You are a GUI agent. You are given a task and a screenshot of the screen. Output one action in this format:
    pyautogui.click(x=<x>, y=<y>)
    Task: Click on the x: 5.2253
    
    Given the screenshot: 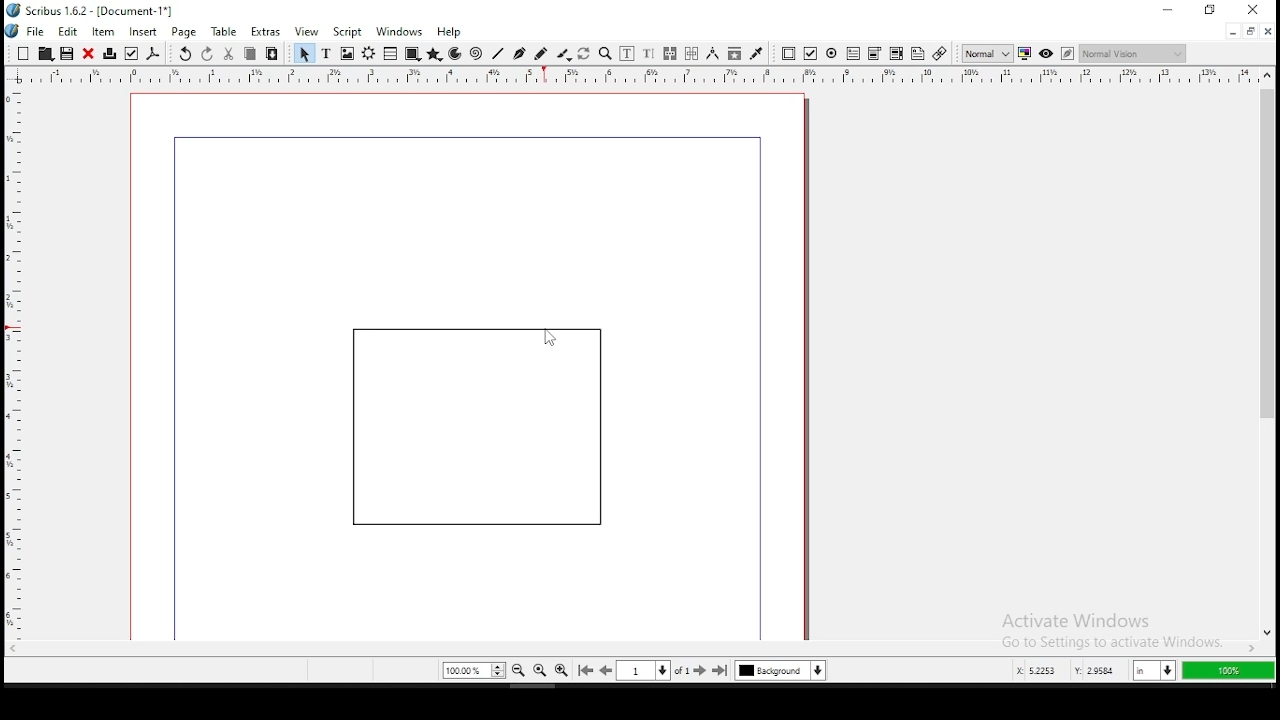 What is the action you would take?
    pyautogui.click(x=1031, y=671)
    